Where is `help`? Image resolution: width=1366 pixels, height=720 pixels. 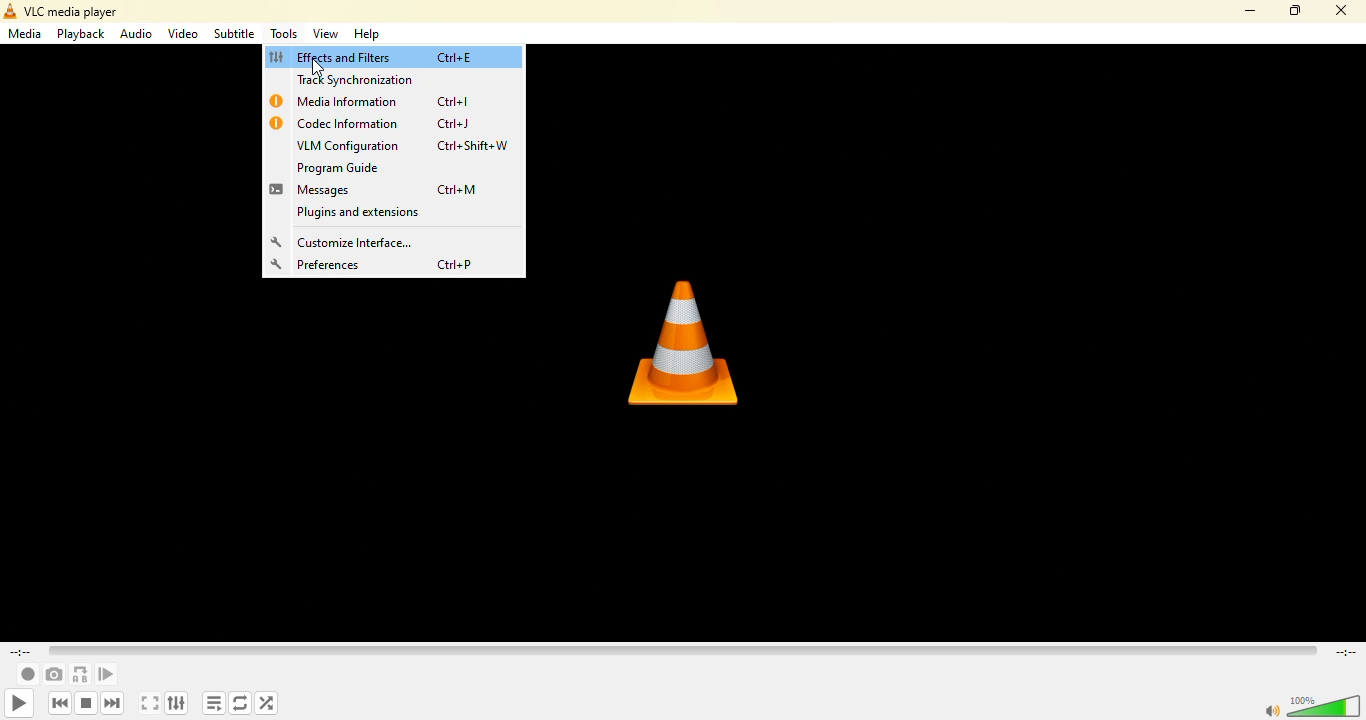 help is located at coordinates (367, 36).